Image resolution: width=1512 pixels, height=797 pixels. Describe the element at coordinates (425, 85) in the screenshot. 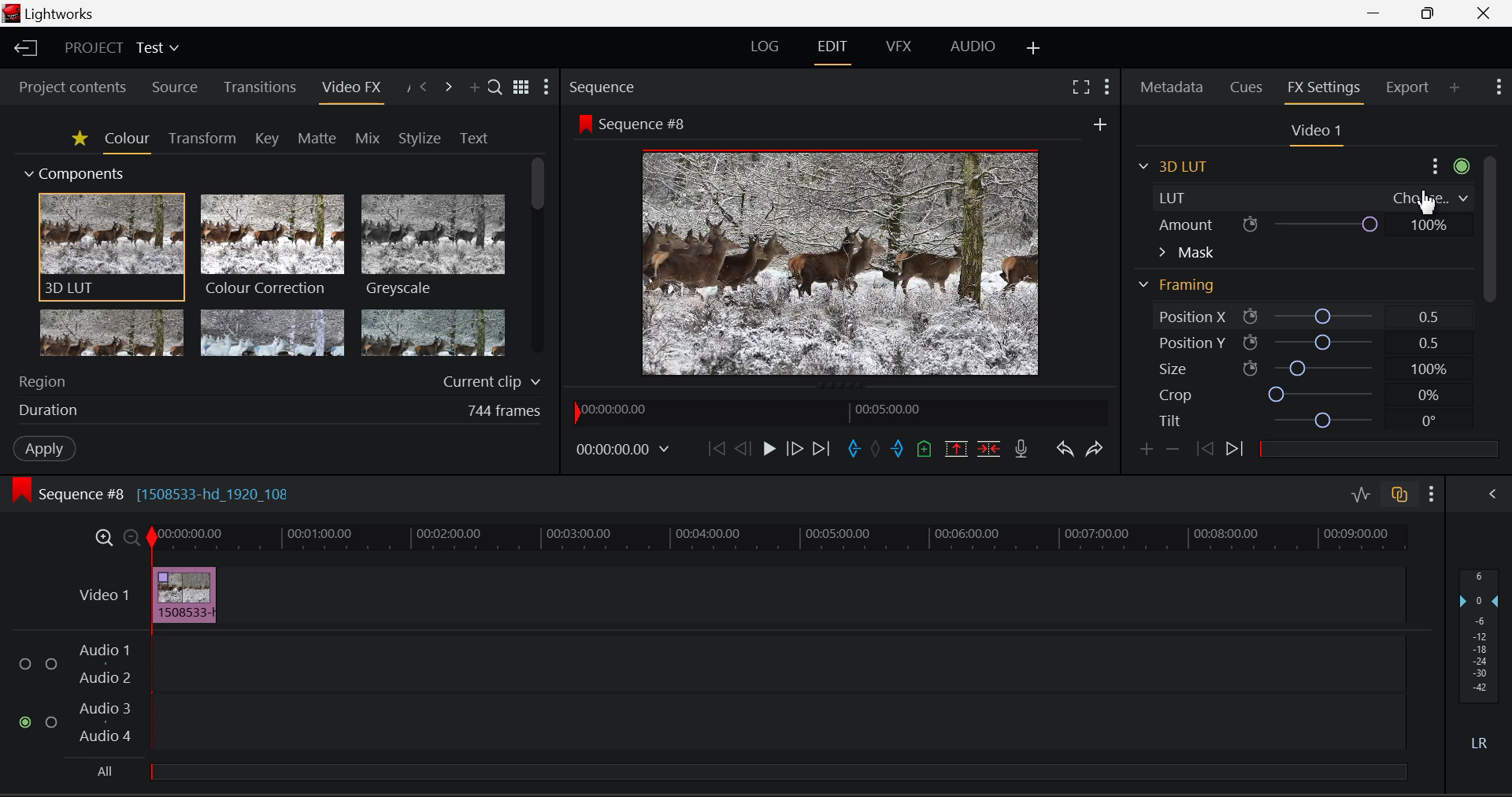

I see `Previous Panel` at that location.